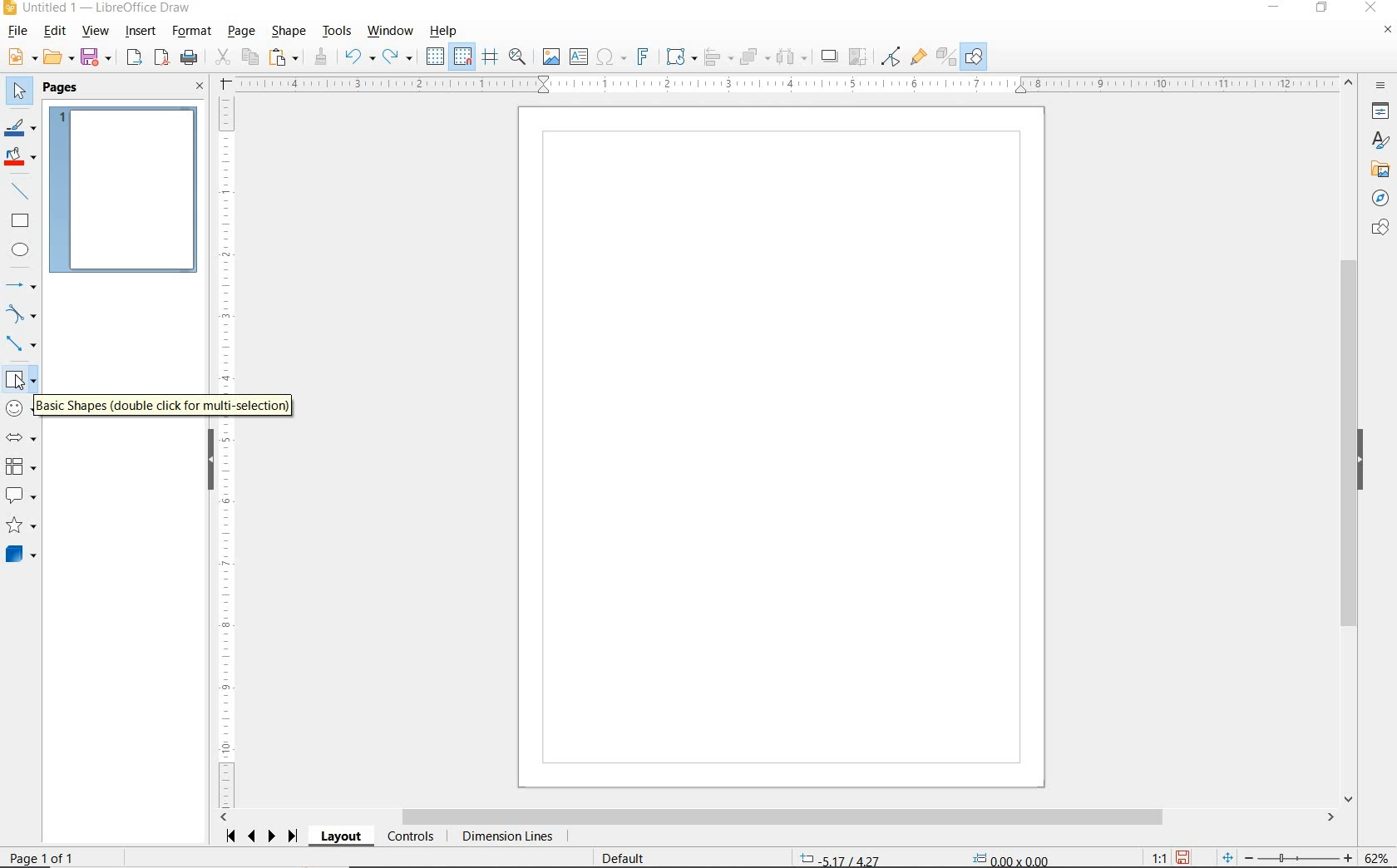 The width and height of the screenshot is (1397, 868). What do you see at coordinates (975, 57) in the screenshot?
I see `SHOW DRAW FUNCTIONS` at bounding box center [975, 57].